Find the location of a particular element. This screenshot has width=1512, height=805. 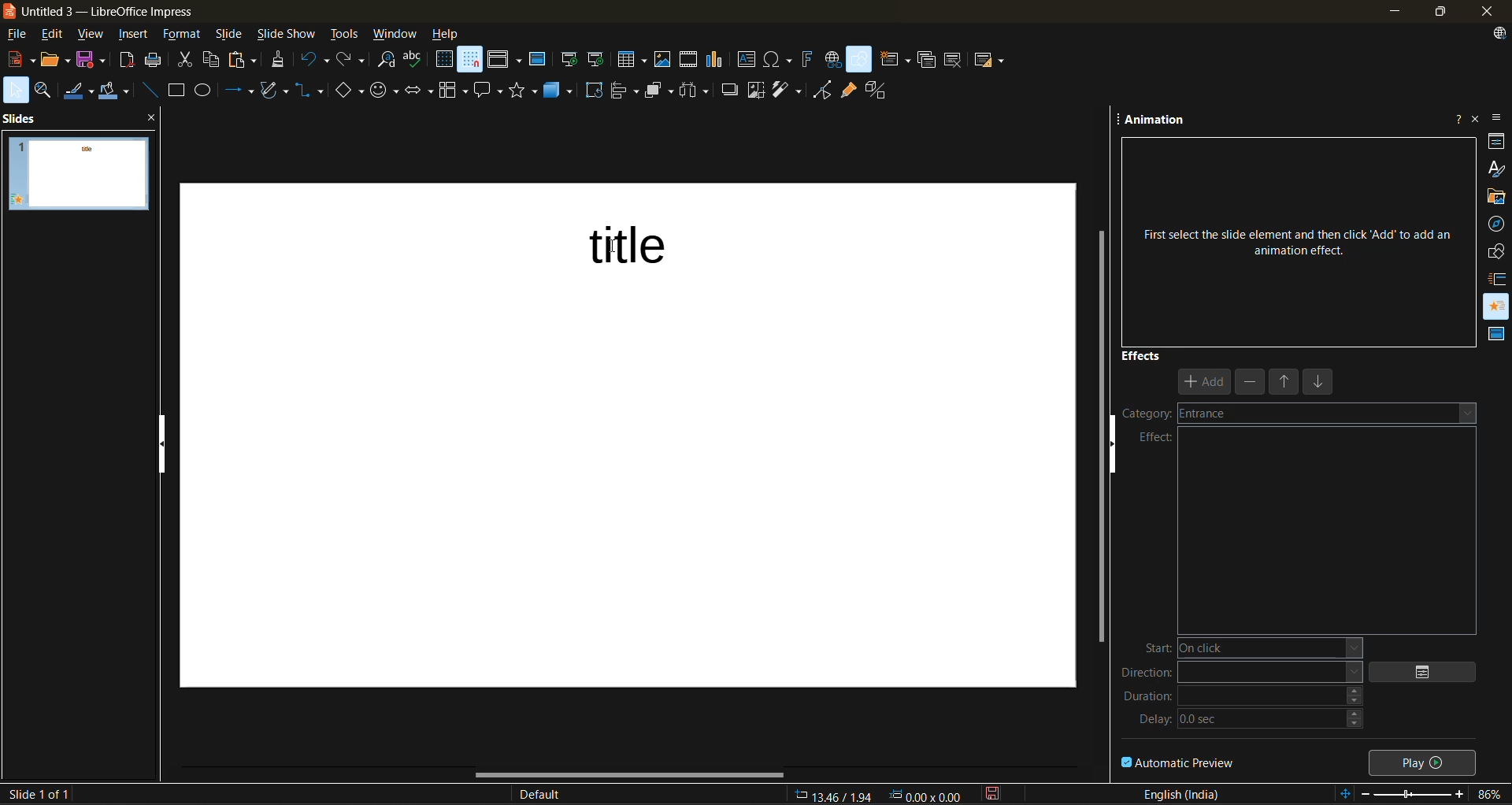

animation is located at coordinates (1497, 302).